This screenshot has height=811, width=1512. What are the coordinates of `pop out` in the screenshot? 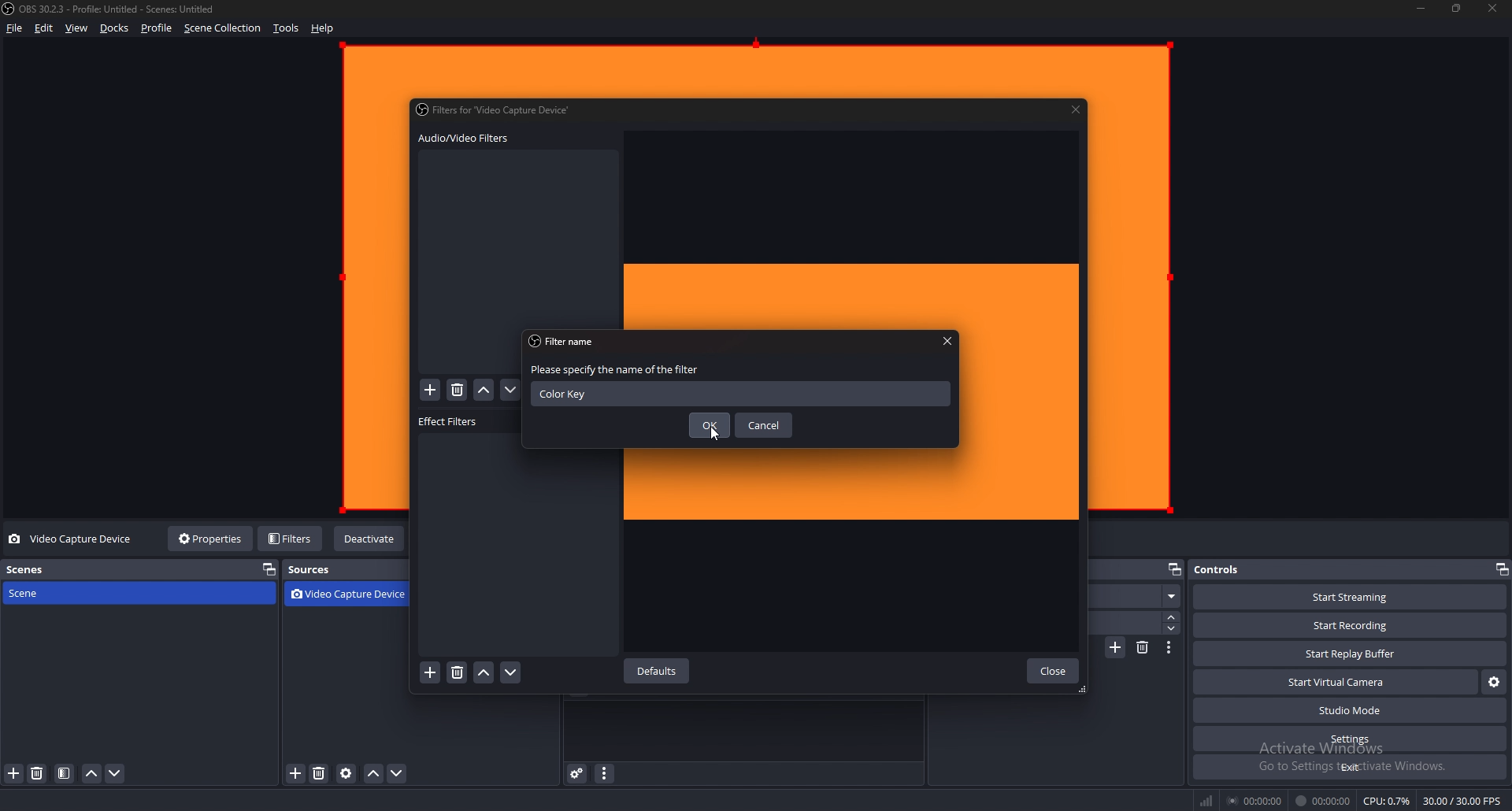 It's located at (1501, 569).